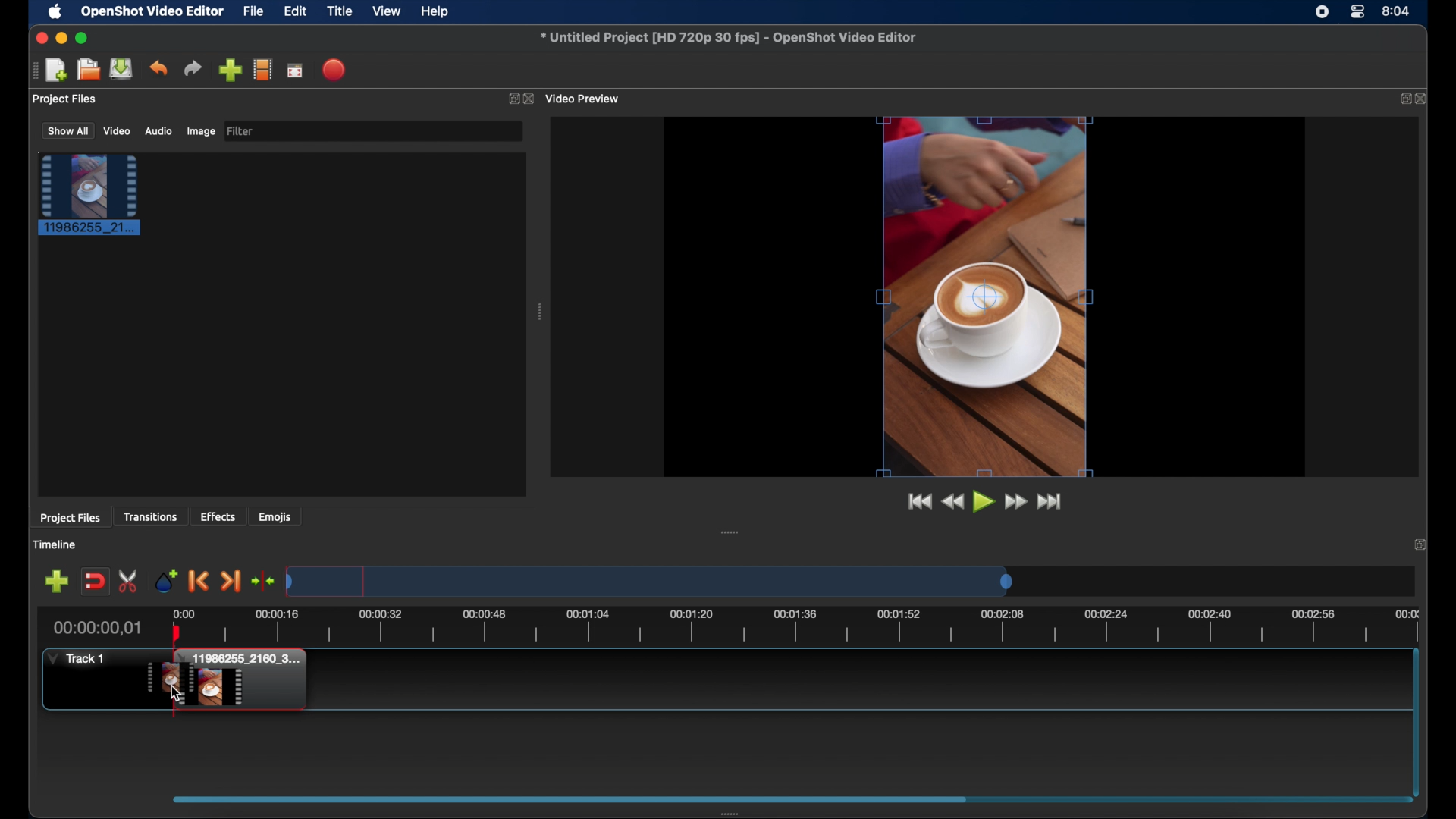 This screenshot has width=1456, height=819. What do you see at coordinates (1401, 99) in the screenshot?
I see `expand` at bounding box center [1401, 99].